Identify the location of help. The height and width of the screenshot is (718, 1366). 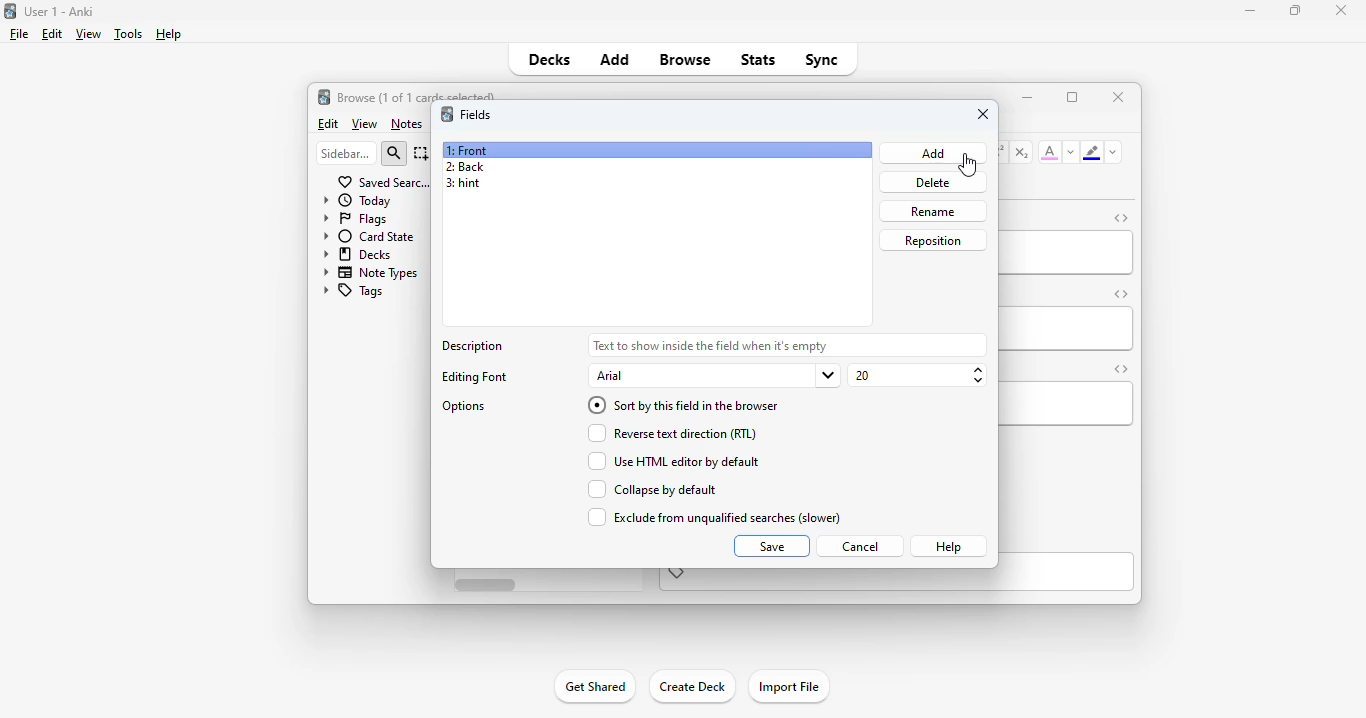
(167, 34).